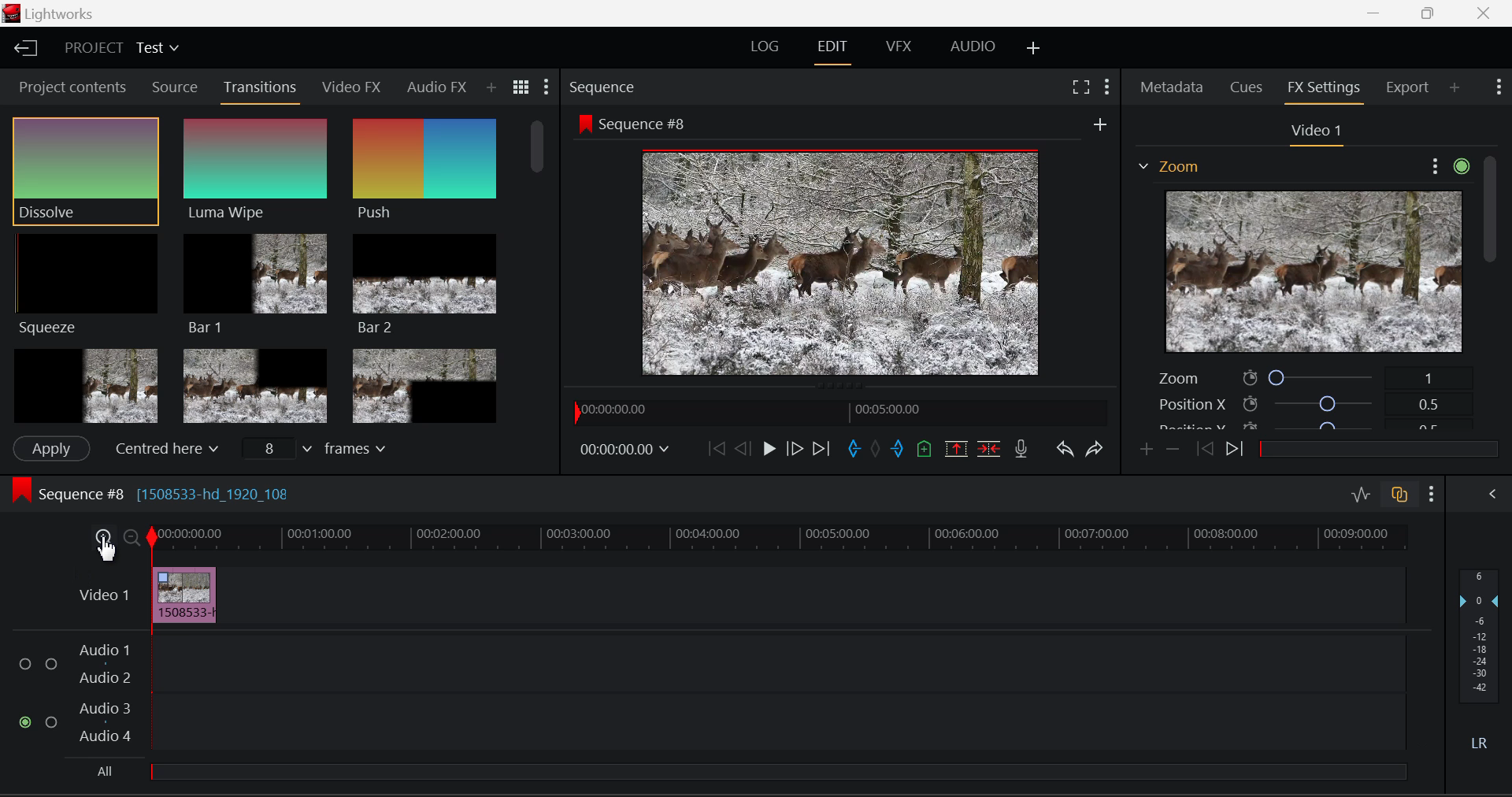 This screenshot has height=797, width=1512. Describe the element at coordinates (778, 539) in the screenshot. I see `Timeline Track` at that location.